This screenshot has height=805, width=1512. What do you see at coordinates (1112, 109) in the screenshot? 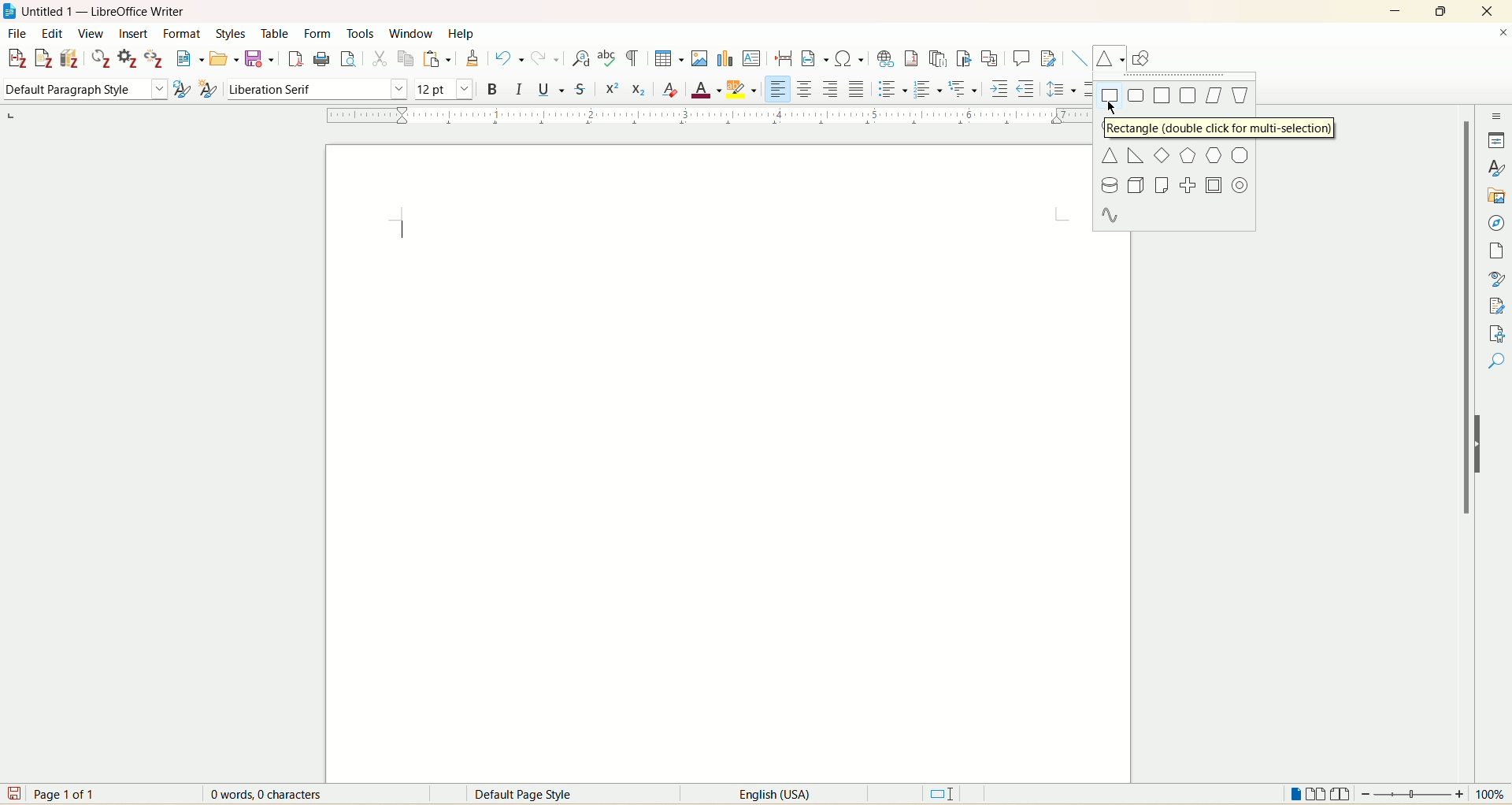
I see `Cursor` at bounding box center [1112, 109].